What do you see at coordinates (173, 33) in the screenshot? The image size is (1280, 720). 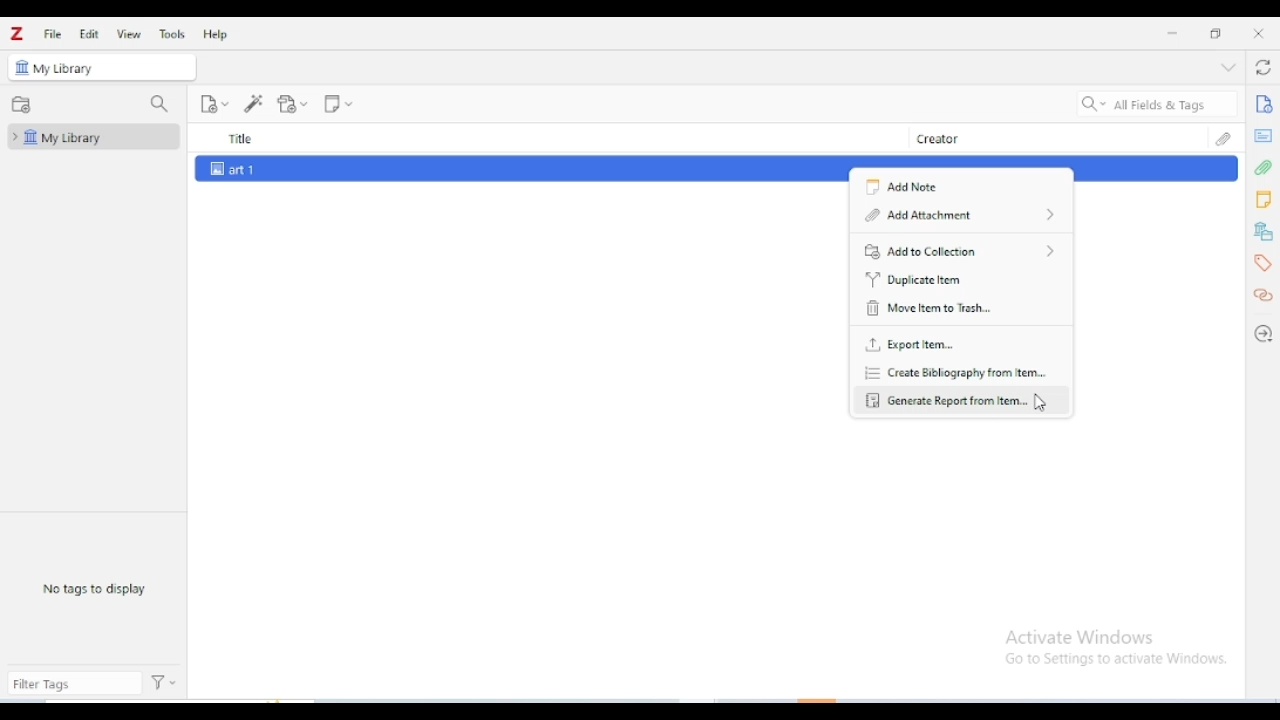 I see `tools` at bounding box center [173, 33].